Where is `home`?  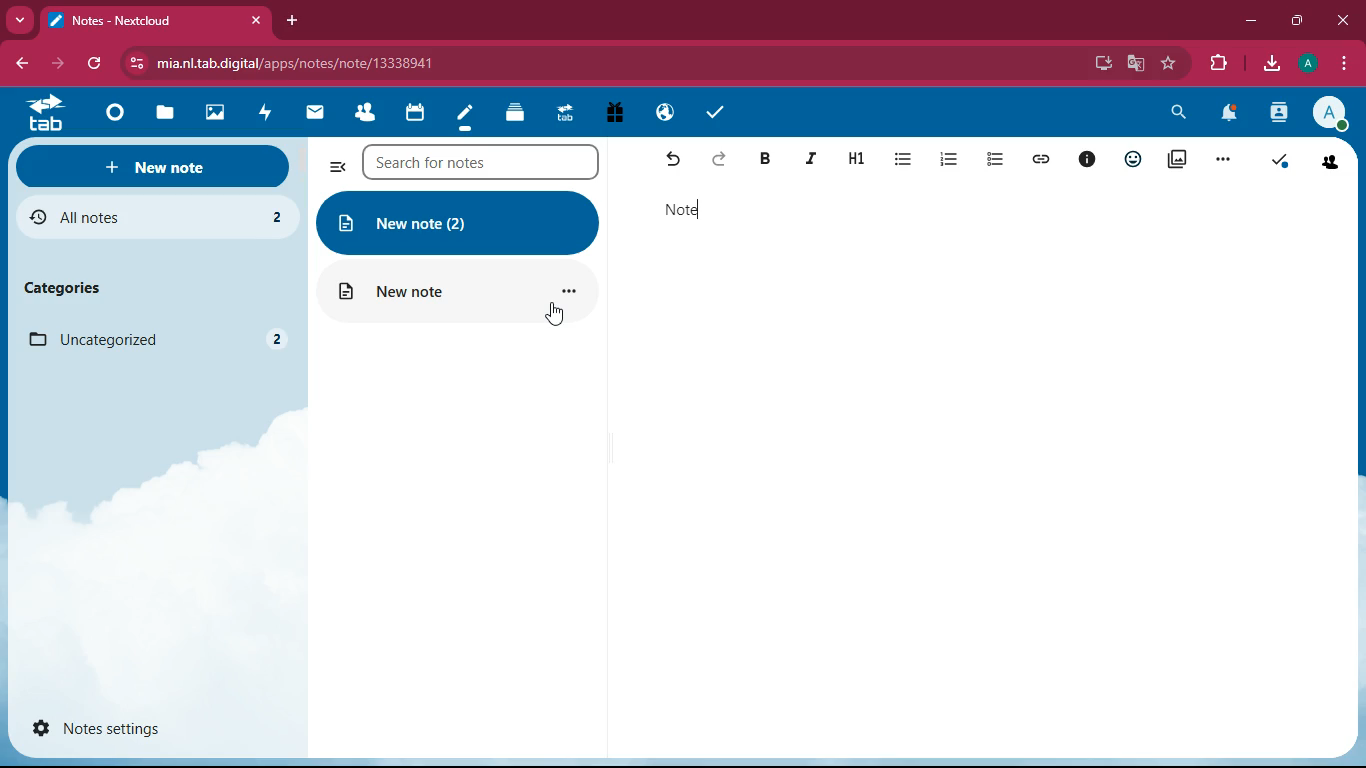
home is located at coordinates (118, 109).